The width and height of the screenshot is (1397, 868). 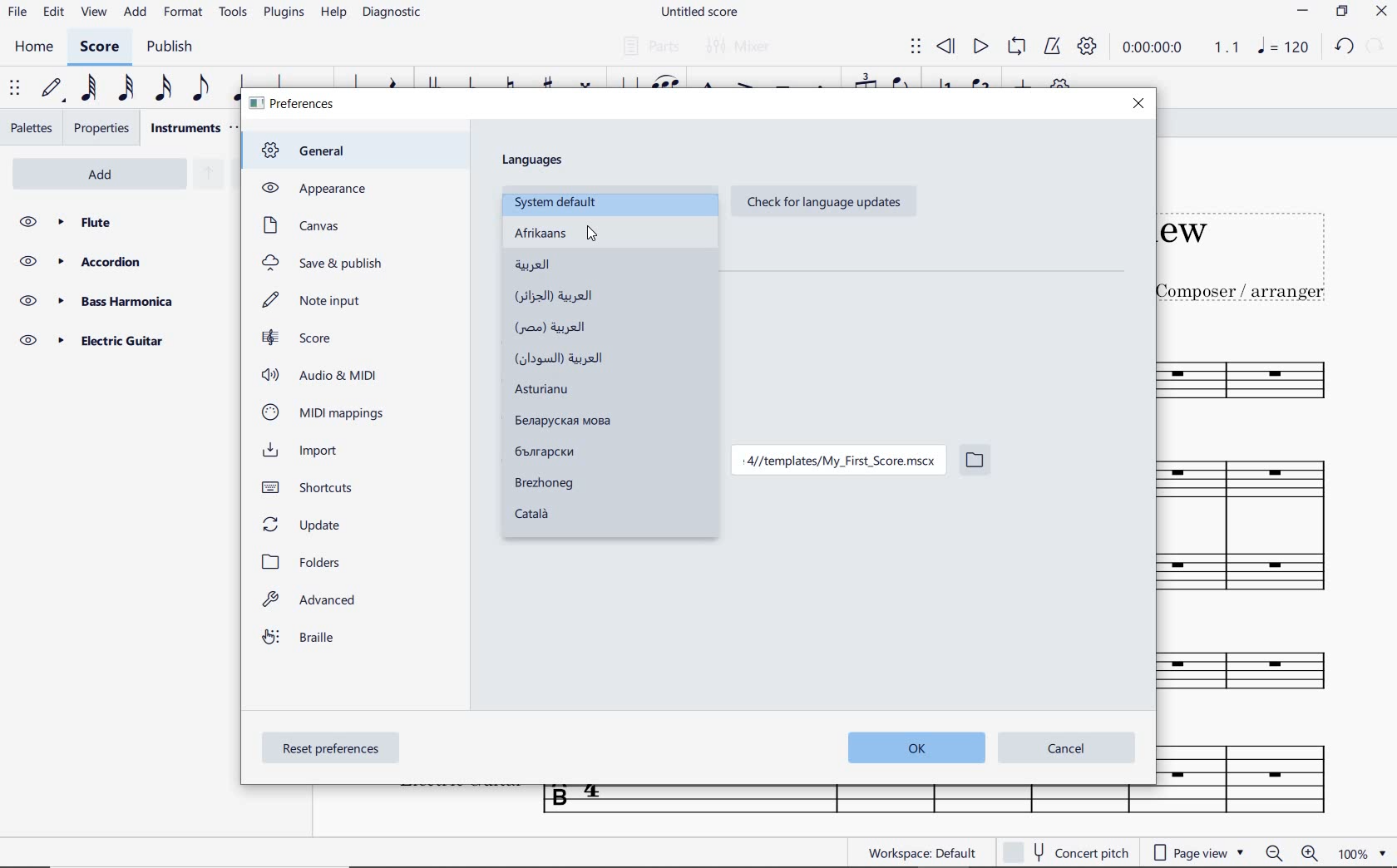 I want to click on brezhoneg, so click(x=543, y=484).